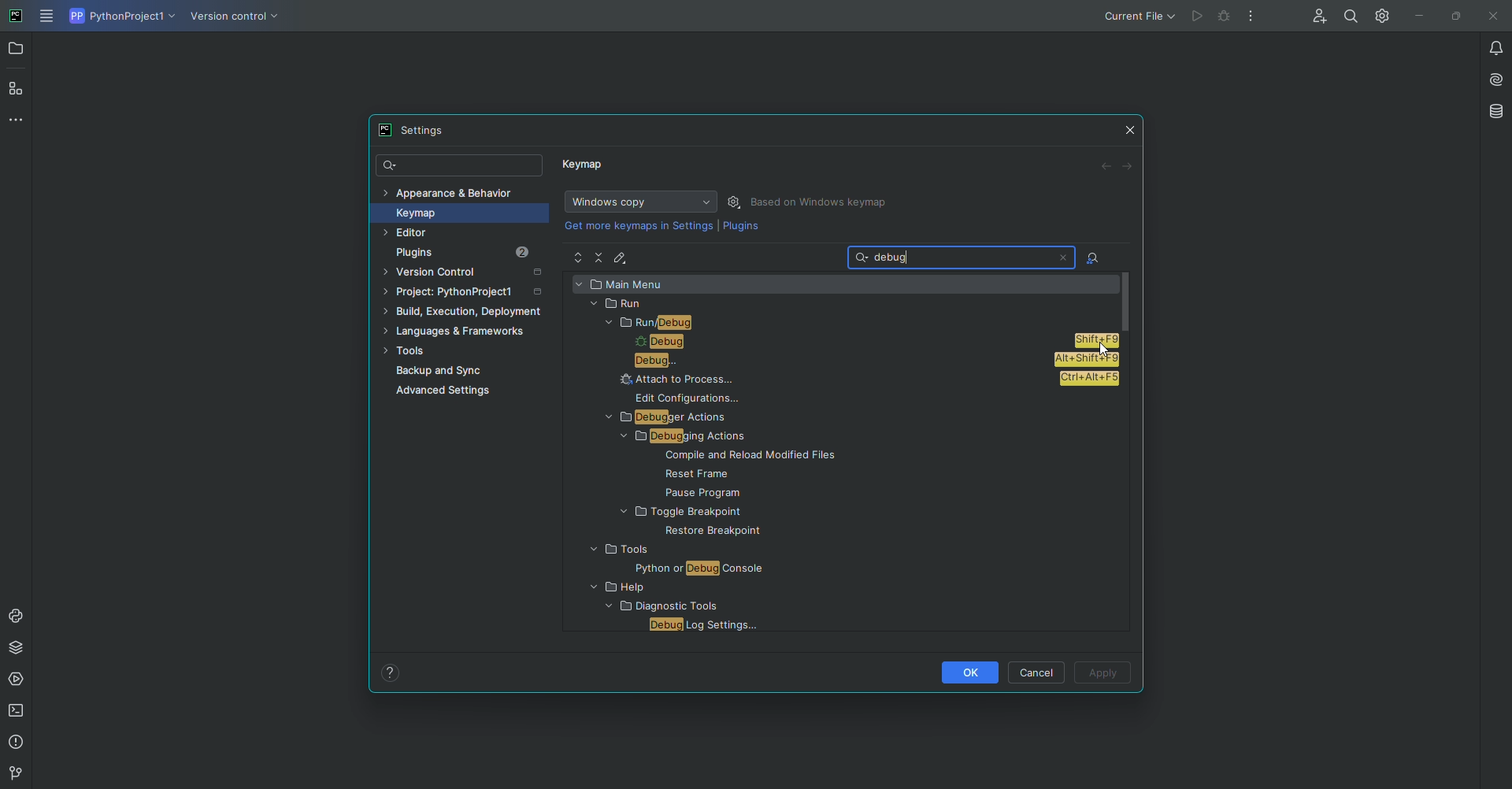  I want to click on DEBUG  SHIFT+F9, so click(816, 343).